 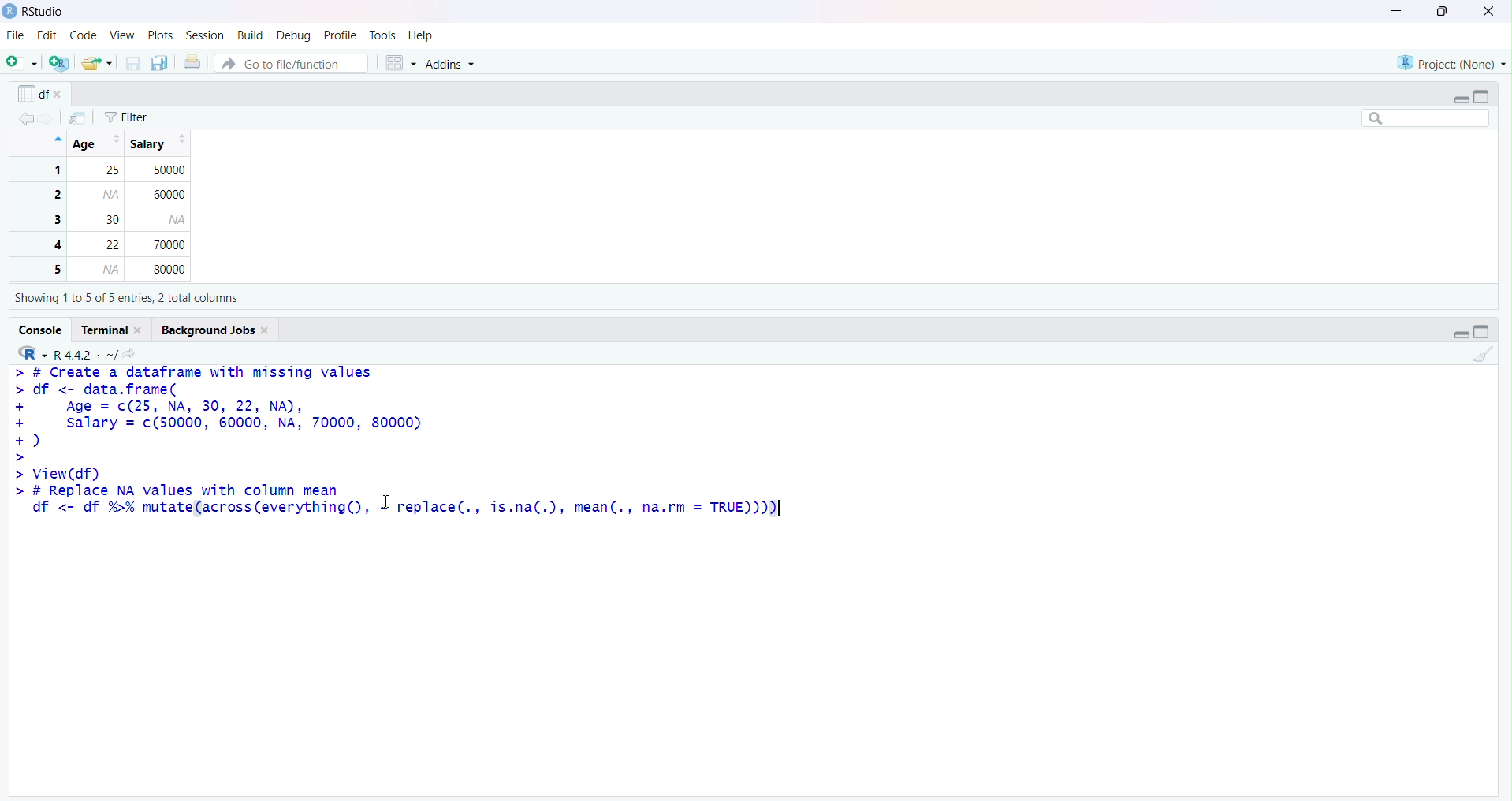 What do you see at coordinates (421, 36) in the screenshot?
I see `Help` at bounding box center [421, 36].